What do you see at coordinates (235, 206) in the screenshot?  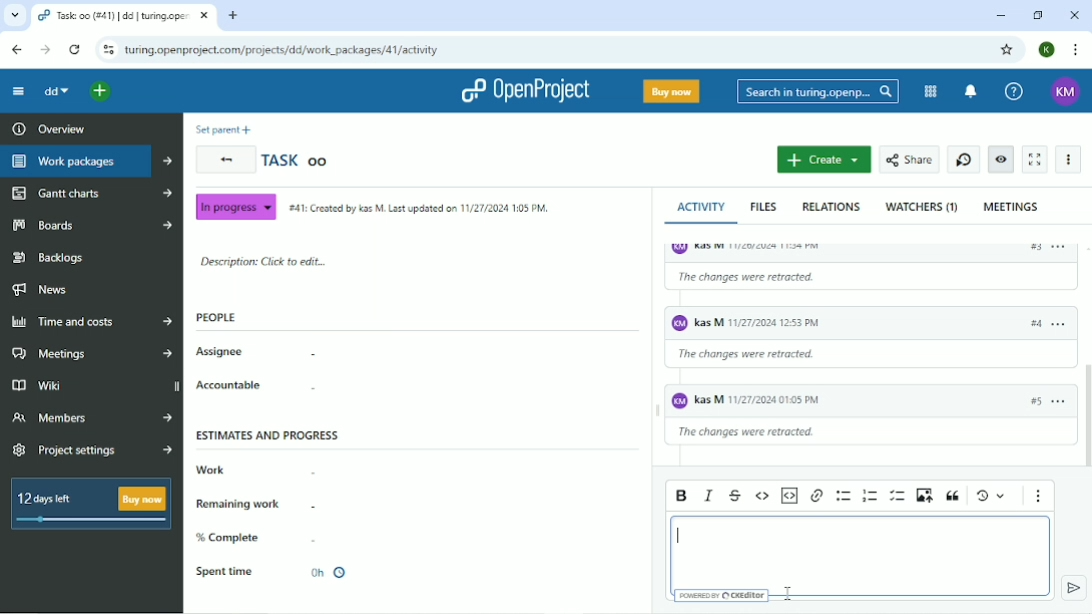 I see `In progress` at bounding box center [235, 206].